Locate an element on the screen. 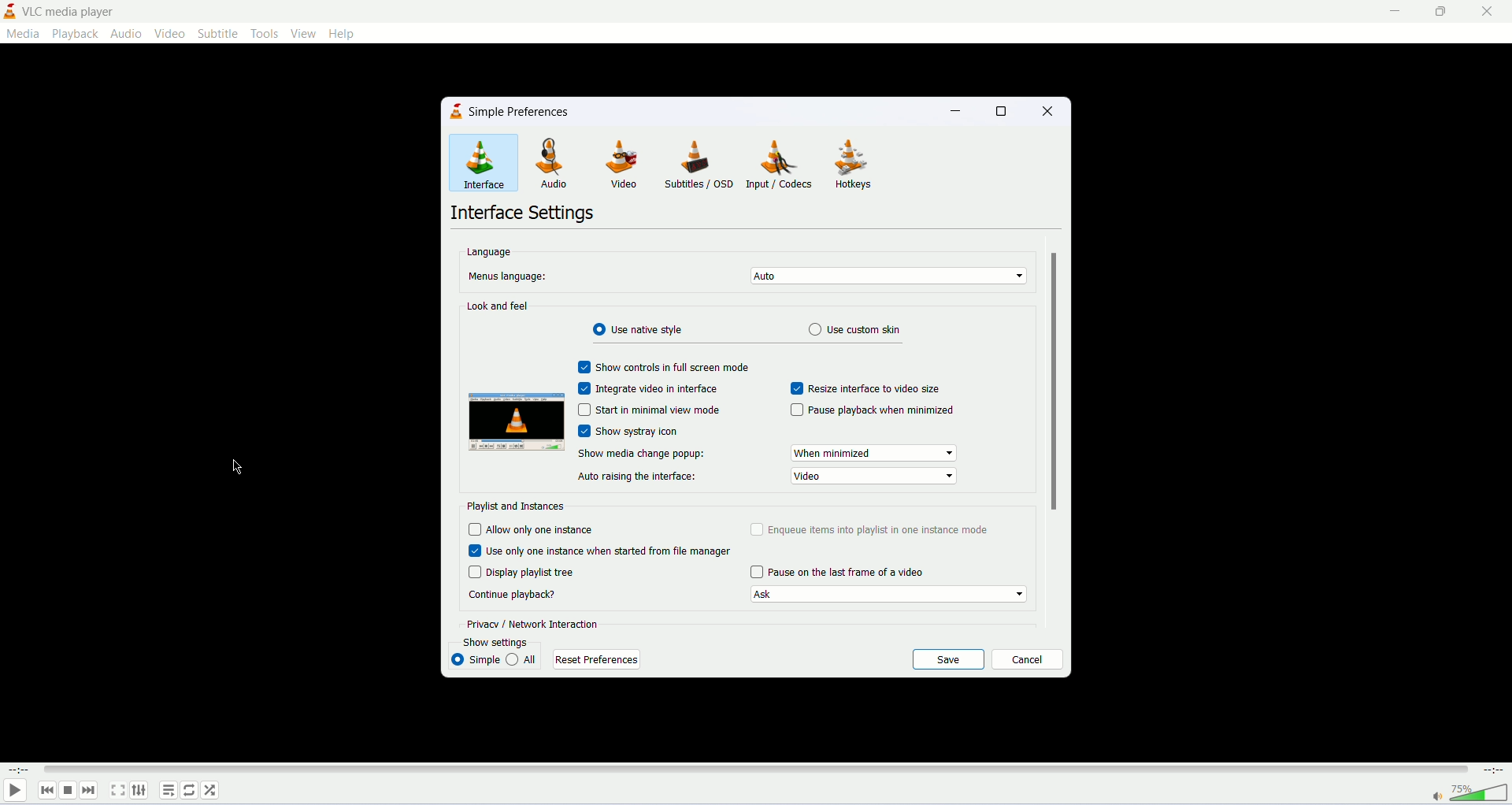 Image resolution: width=1512 pixels, height=805 pixels. continue playback? is located at coordinates (519, 595).